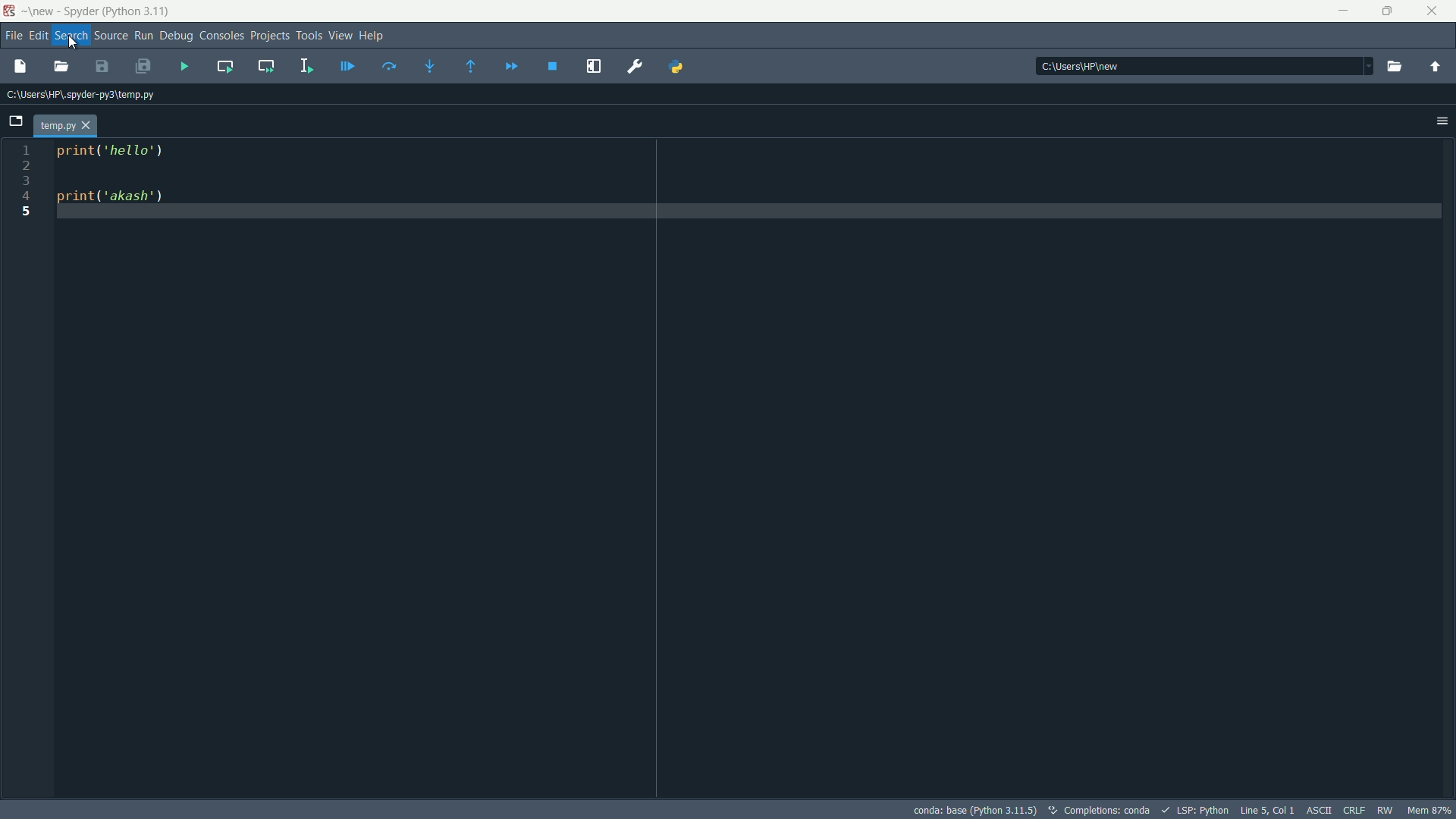  What do you see at coordinates (1203, 65) in the screenshot?
I see `directory` at bounding box center [1203, 65].